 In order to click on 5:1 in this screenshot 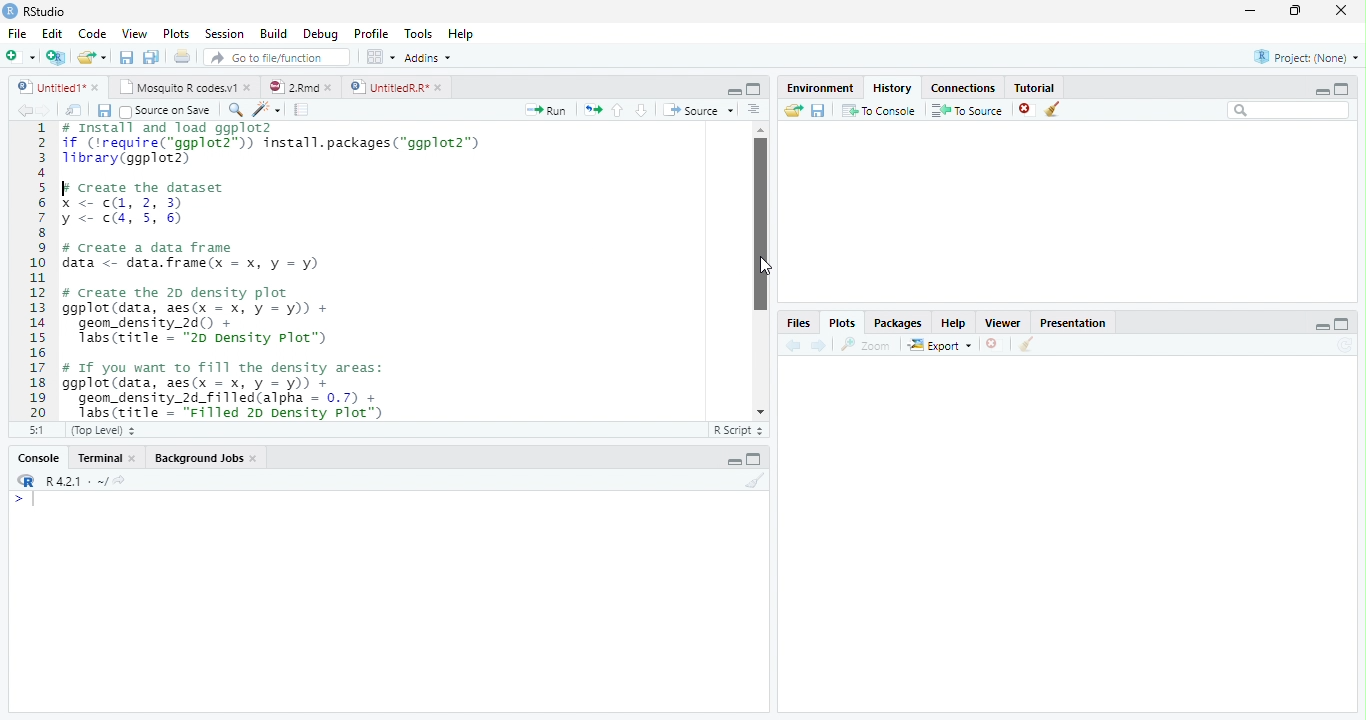, I will do `click(33, 430)`.